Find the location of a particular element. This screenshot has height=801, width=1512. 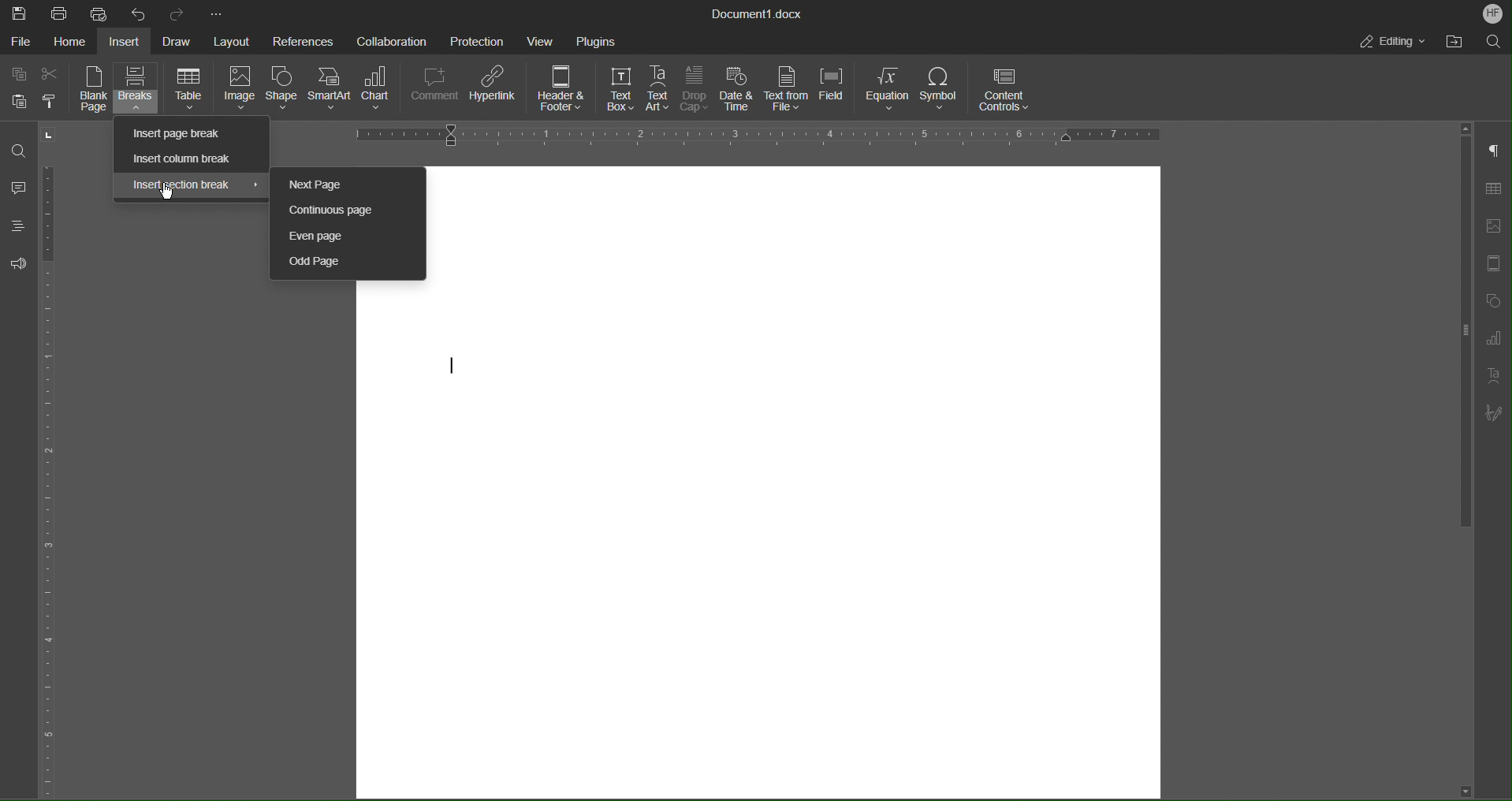

Insert section break is located at coordinates (188, 186).